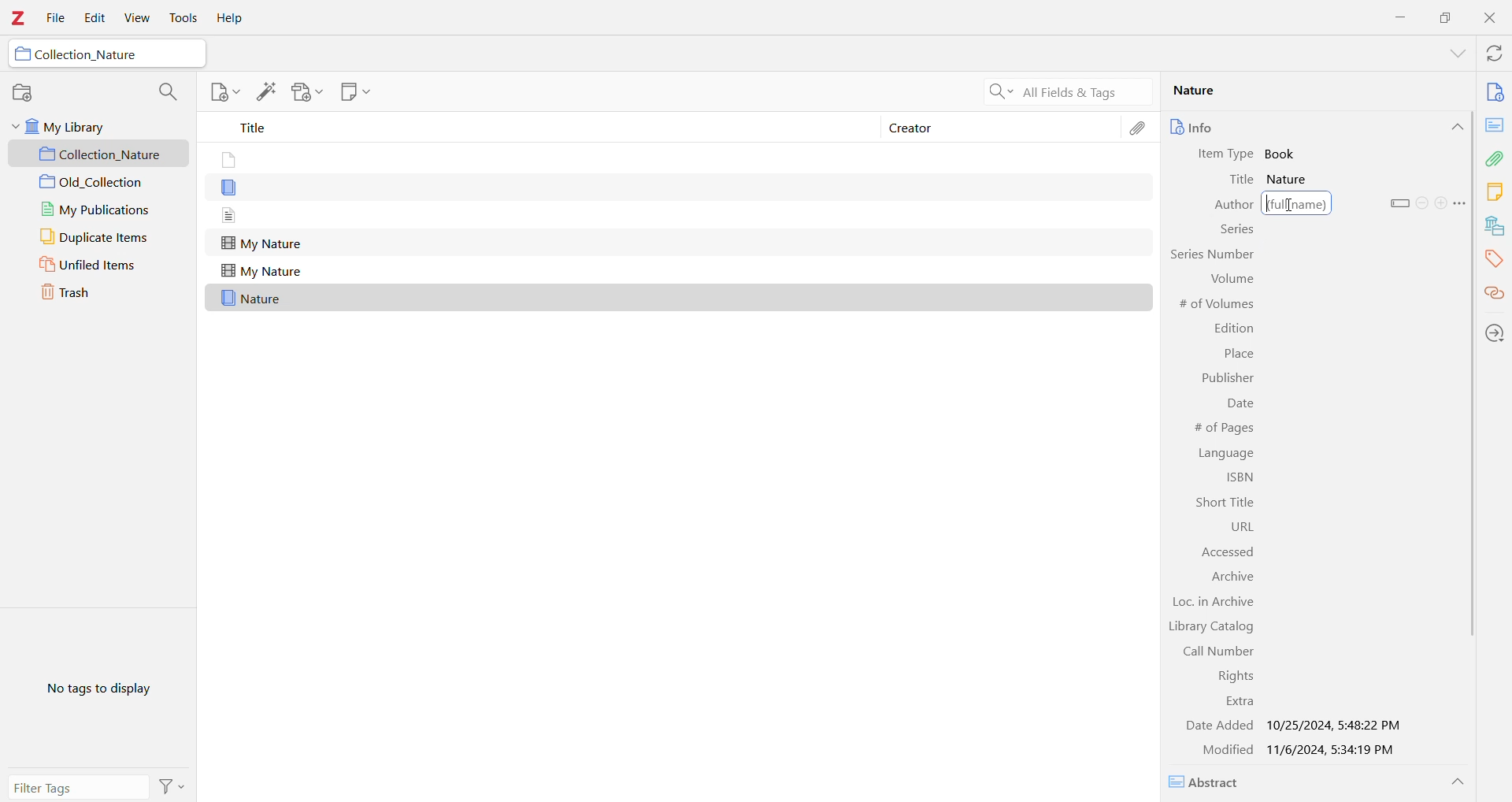 The height and width of the screenshot is (802, 1512). I want to click on Attachments, so click(1140, 132).